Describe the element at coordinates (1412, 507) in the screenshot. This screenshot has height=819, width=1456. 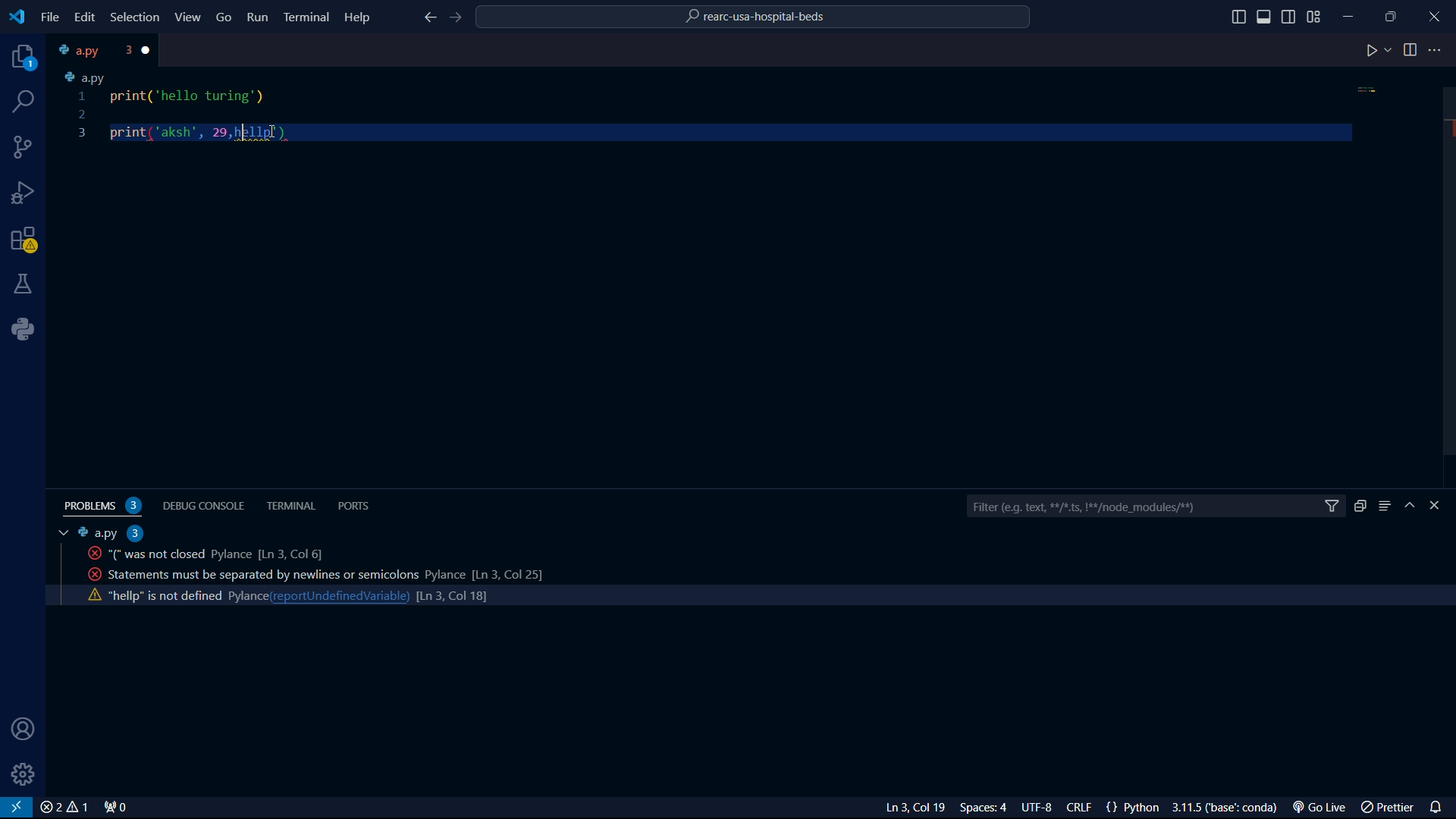
I see `hide` at that location.